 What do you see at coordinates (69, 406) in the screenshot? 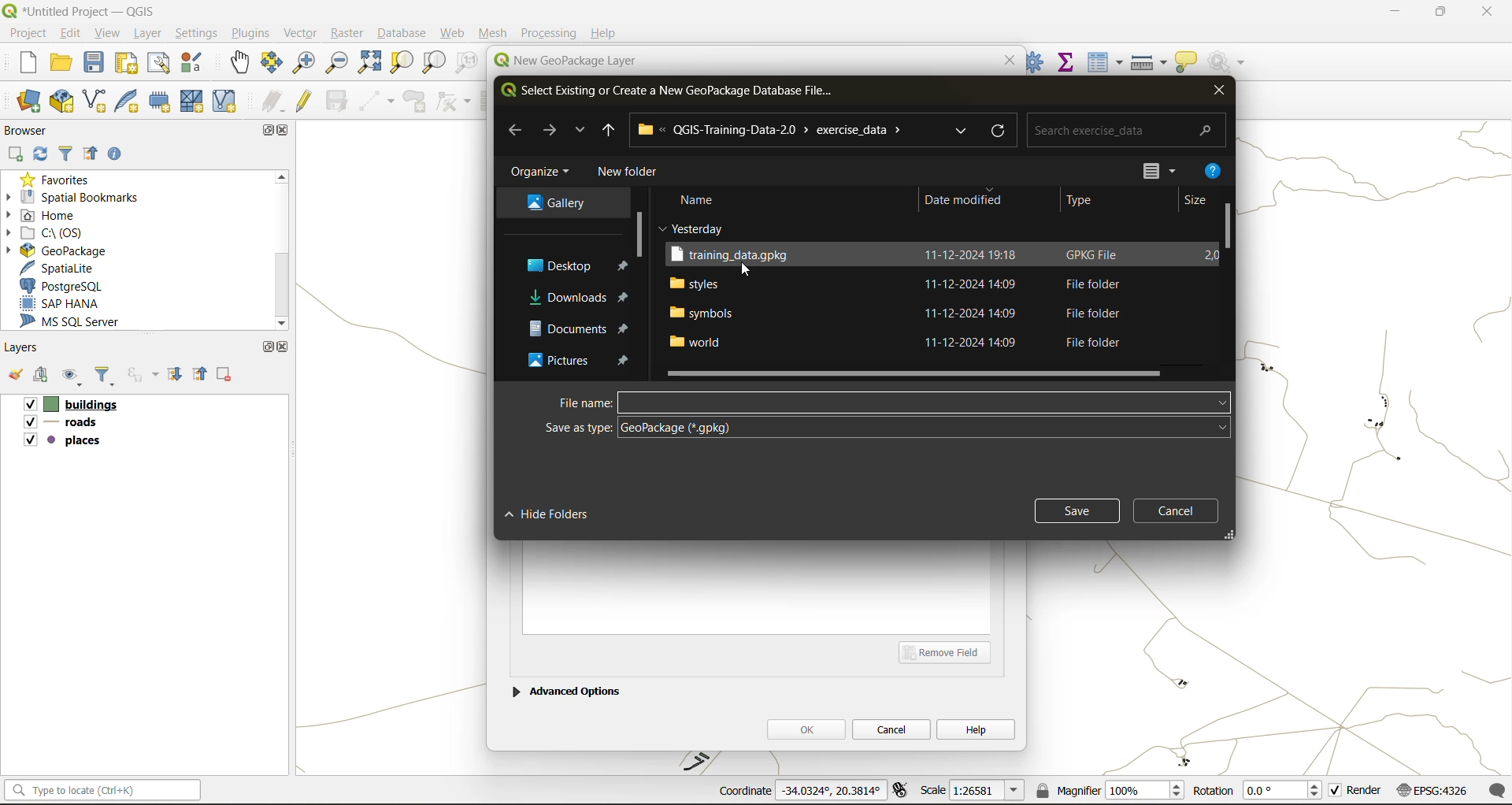
I see `buildings` at bounding box center [69, 406].